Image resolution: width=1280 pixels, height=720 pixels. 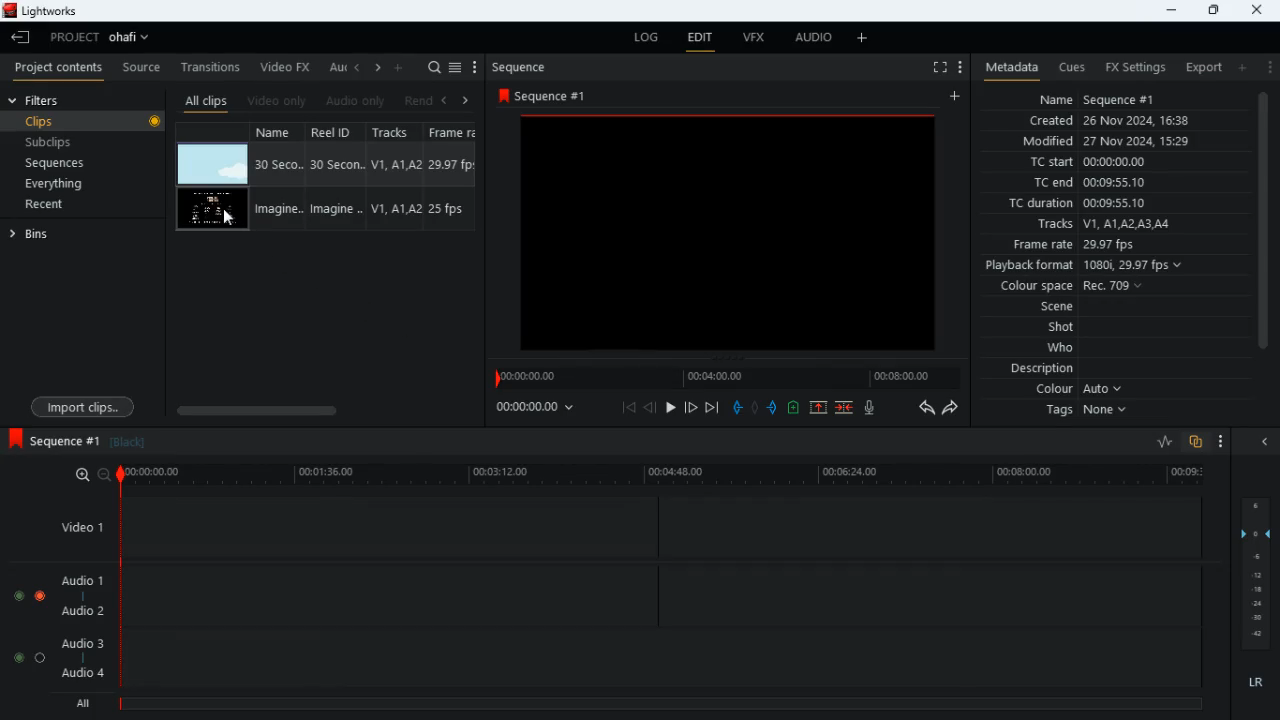 I want to click on back, so click(x=443, y=101).